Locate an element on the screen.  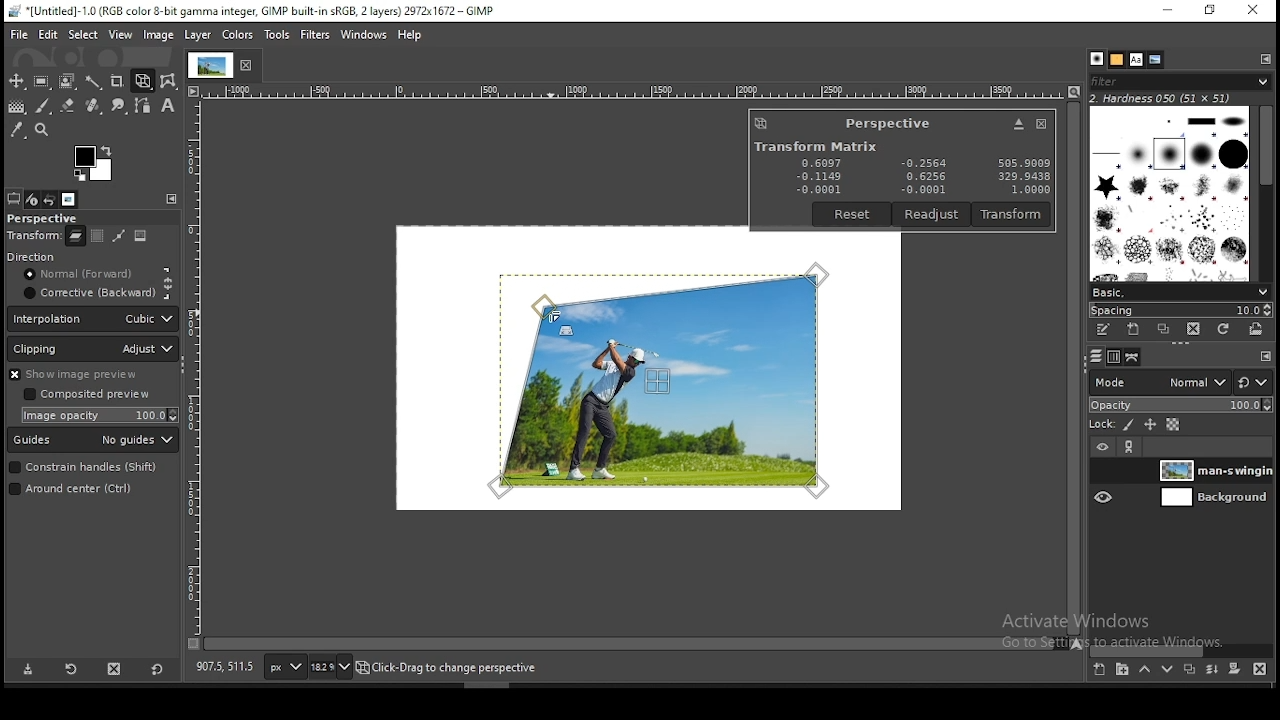
perspective is located at coordinates (59, 218).